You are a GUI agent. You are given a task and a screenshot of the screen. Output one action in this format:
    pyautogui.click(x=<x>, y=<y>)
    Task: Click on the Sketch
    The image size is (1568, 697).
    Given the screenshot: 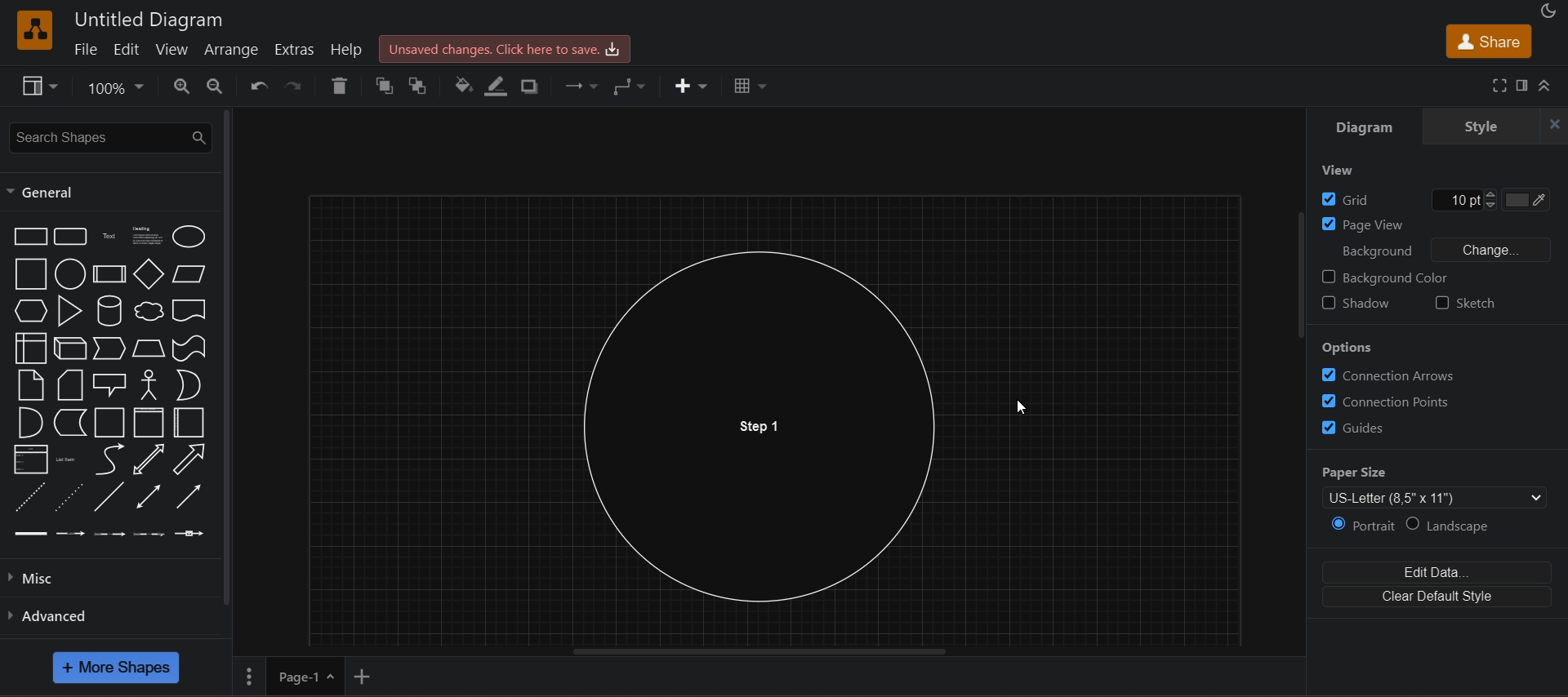 What is the action you would take?
    pyautogui.click(x=1472, y=305)
    